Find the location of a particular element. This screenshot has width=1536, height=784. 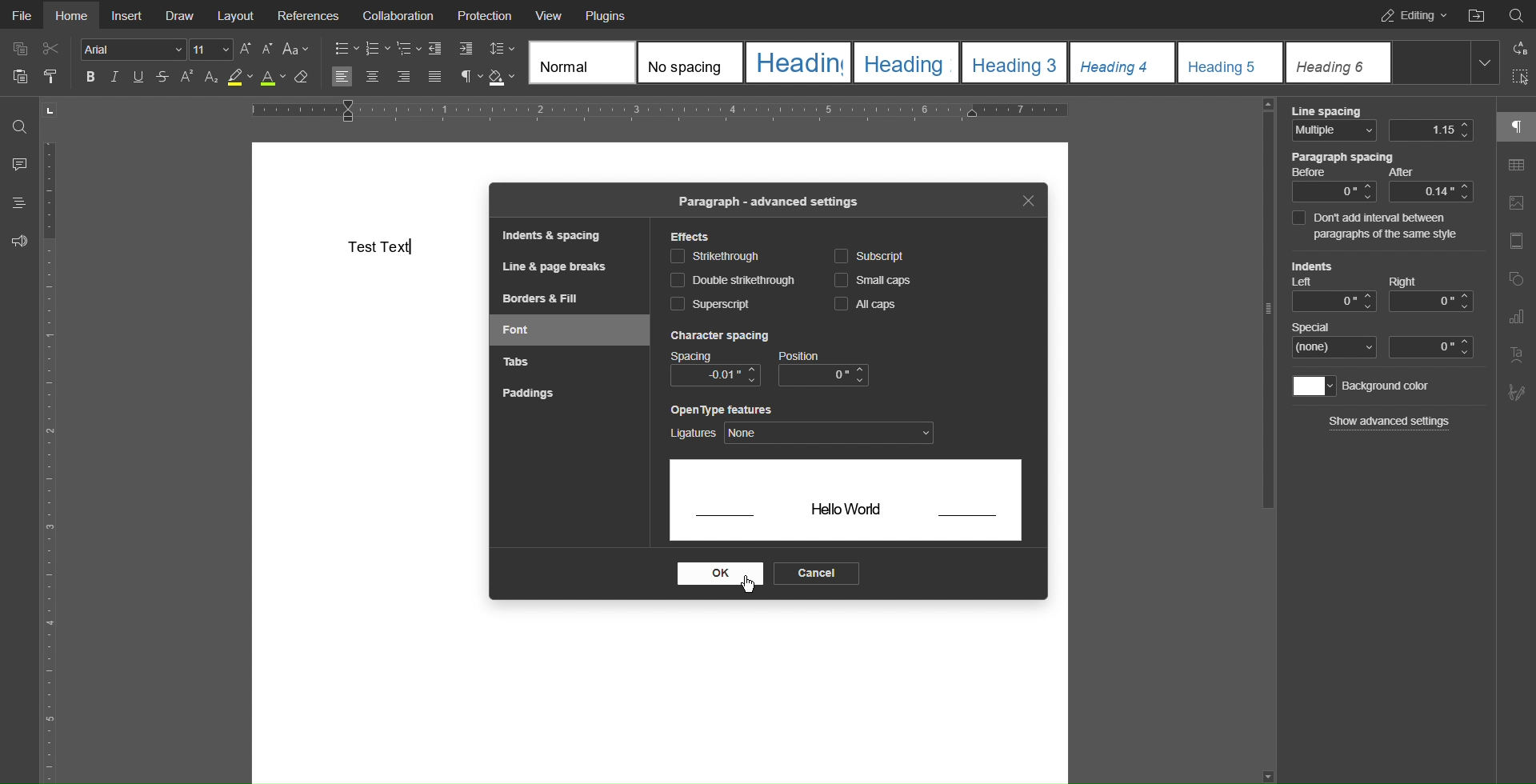

Strikethrough is located at coordinates (715, 256).